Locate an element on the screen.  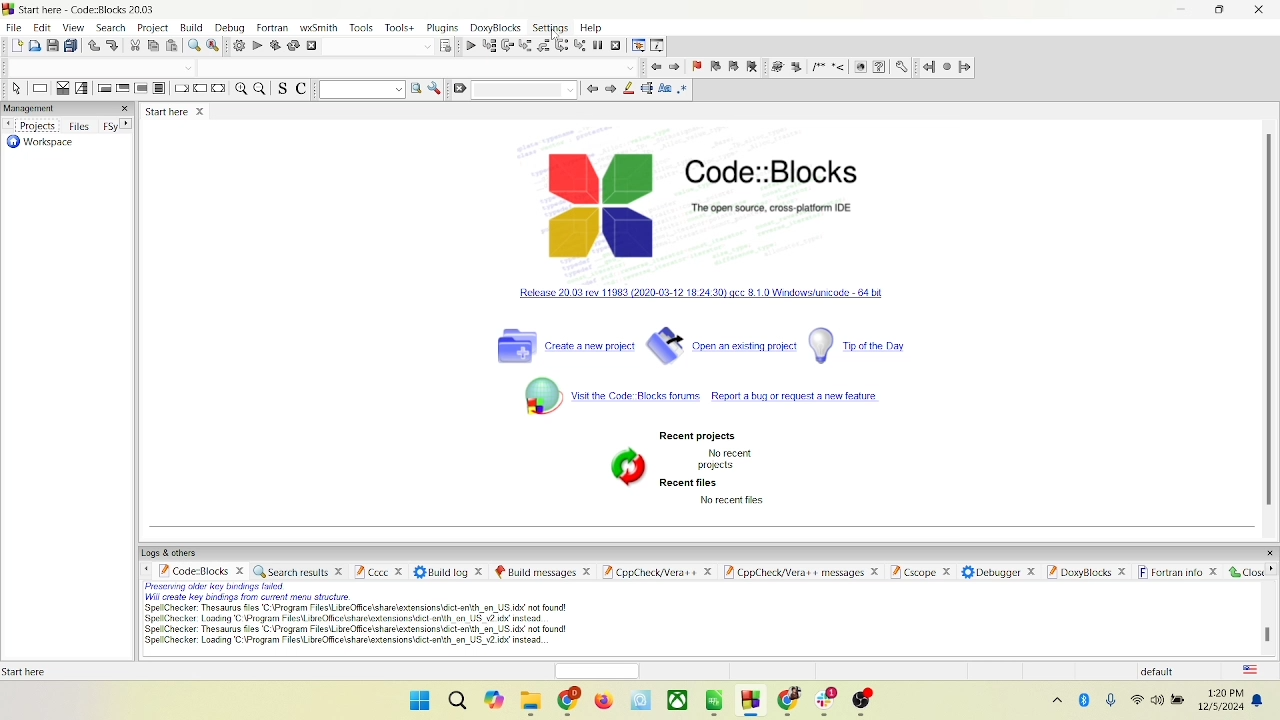
go back is located at coordinates (591, 91).